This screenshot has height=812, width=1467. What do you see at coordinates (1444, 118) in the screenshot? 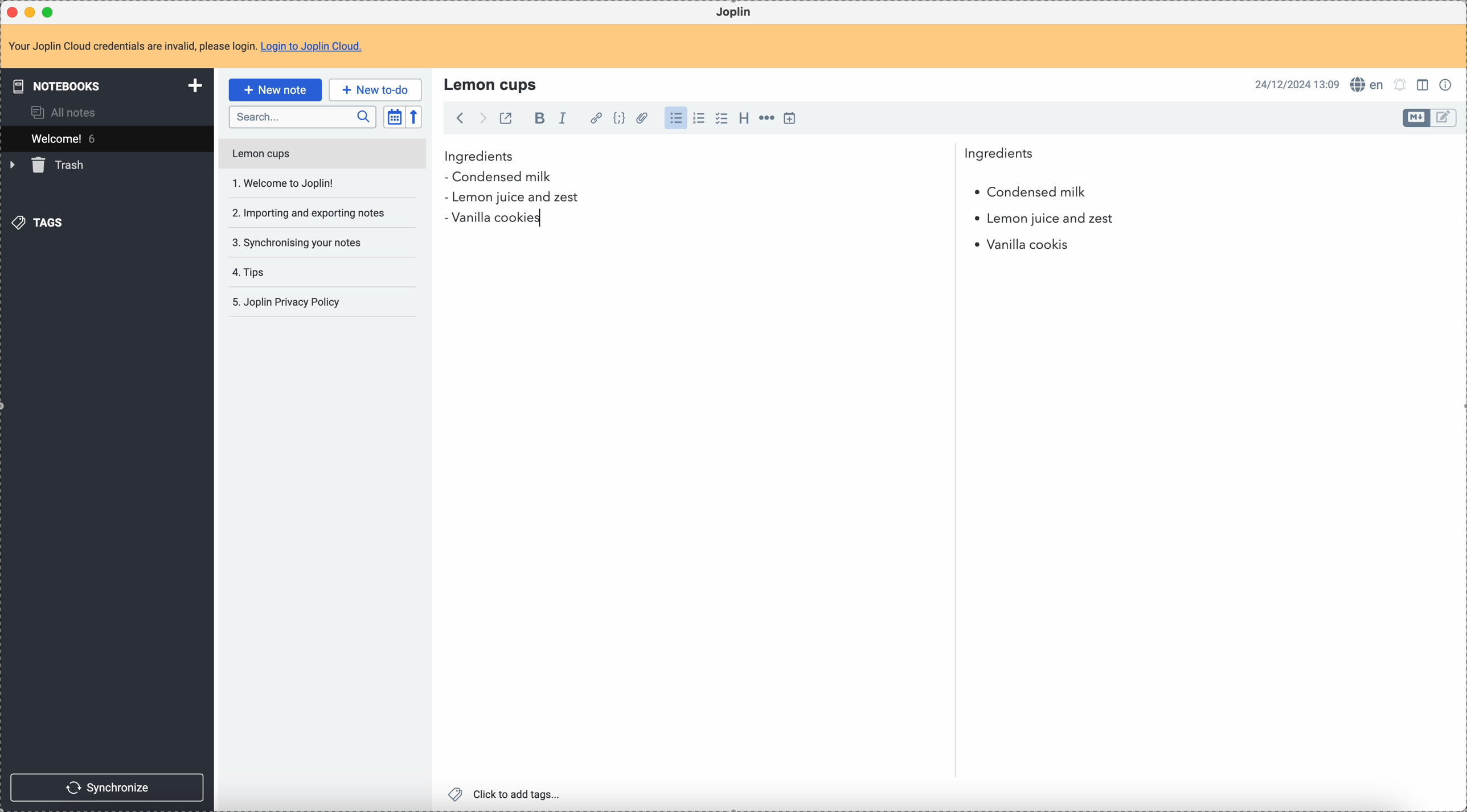
I see `toggle edit layout` at bounding box center [1444, 118].